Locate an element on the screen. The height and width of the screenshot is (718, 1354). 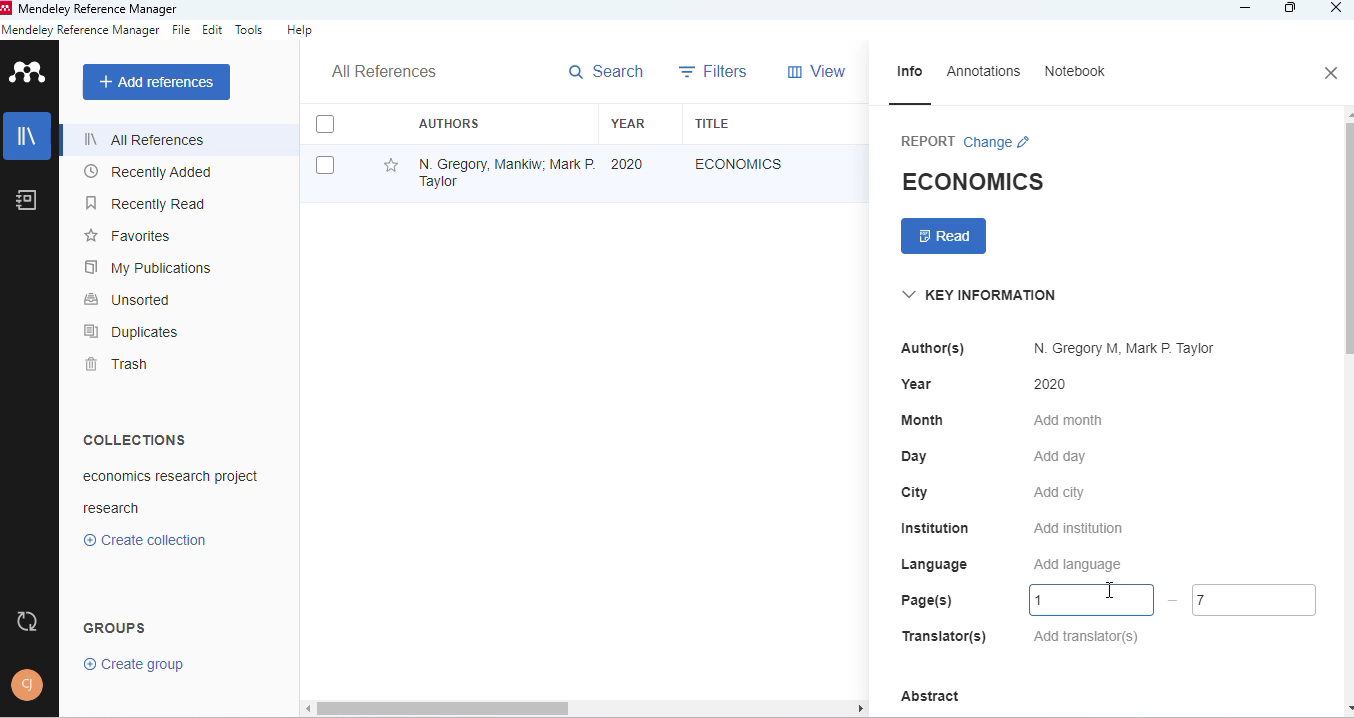
edit is located at coordinates (214, 29).